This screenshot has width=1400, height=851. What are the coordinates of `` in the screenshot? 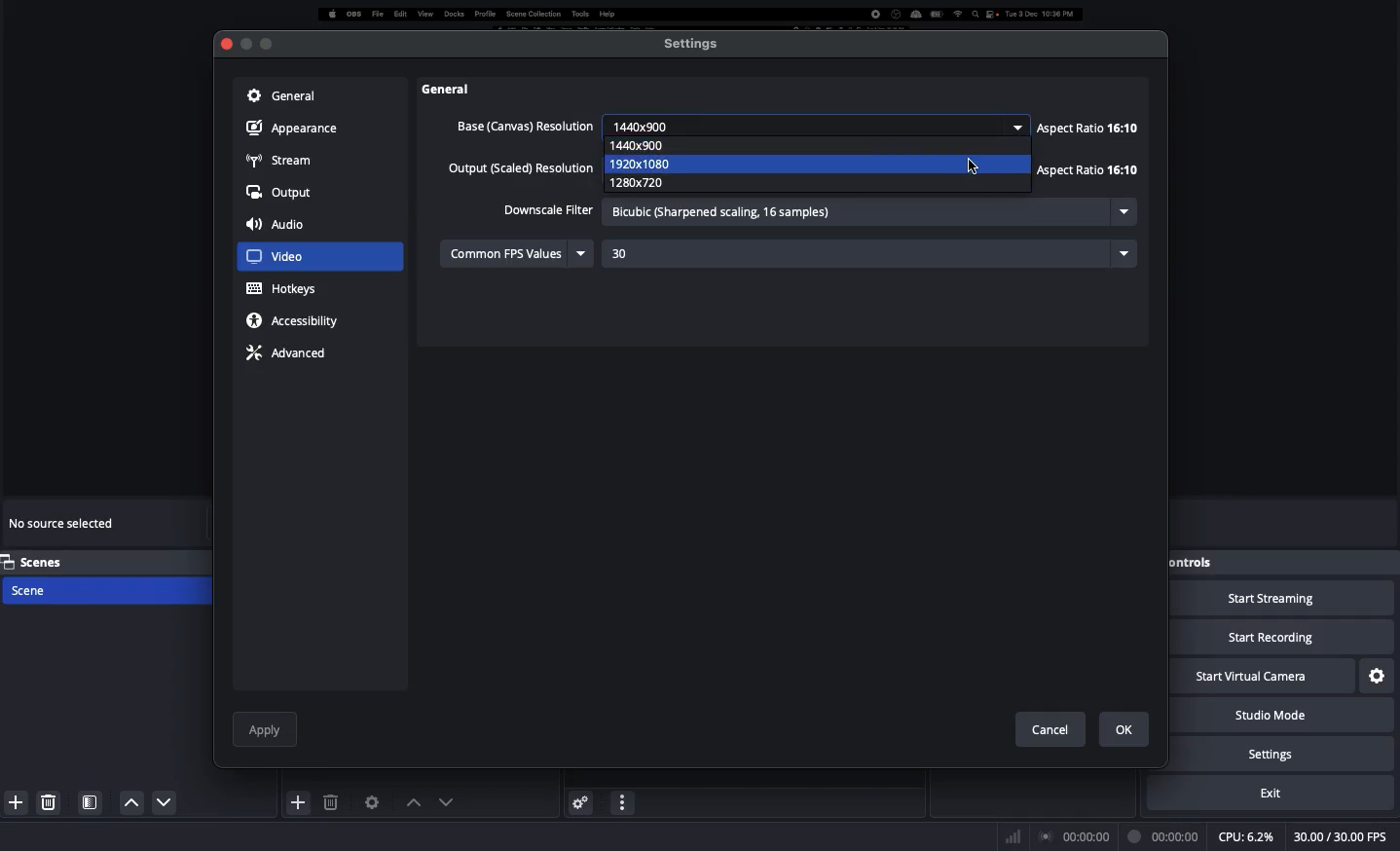 It's located at (458, 89).